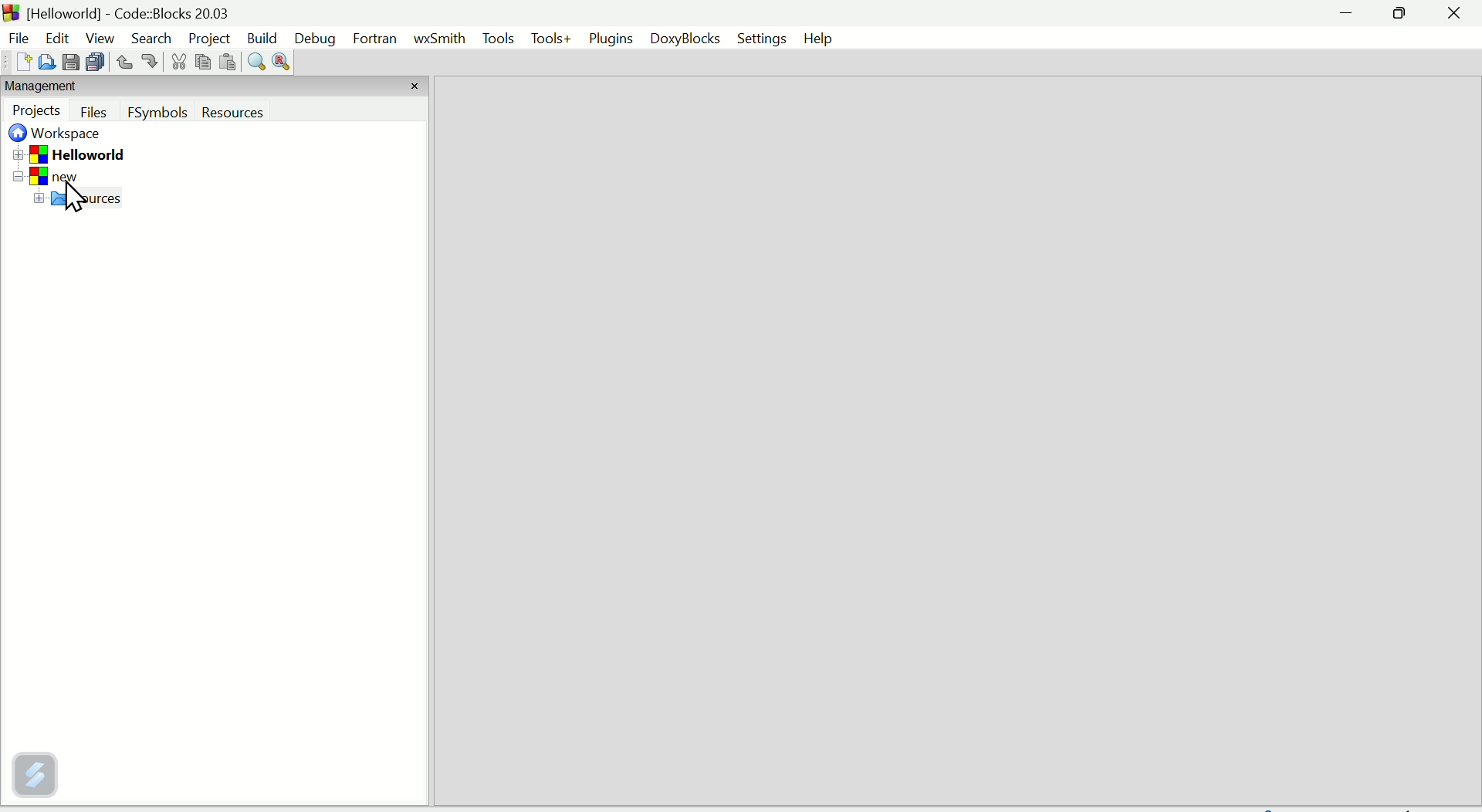 The height and width of the screenshot is (812, 1482). I want to click on Build, so click(264, 36).